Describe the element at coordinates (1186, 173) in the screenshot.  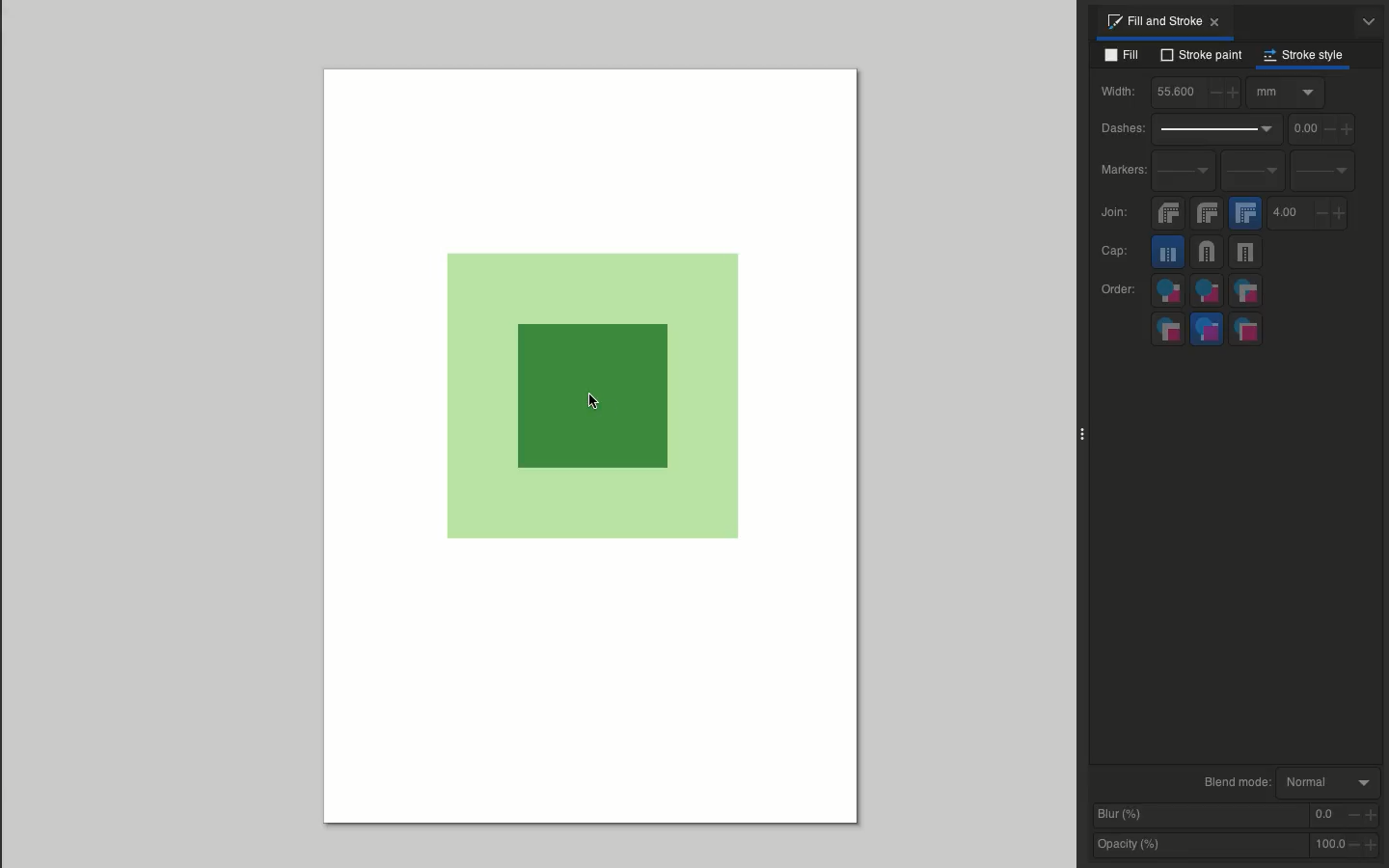
I see `Start markers` at that location.